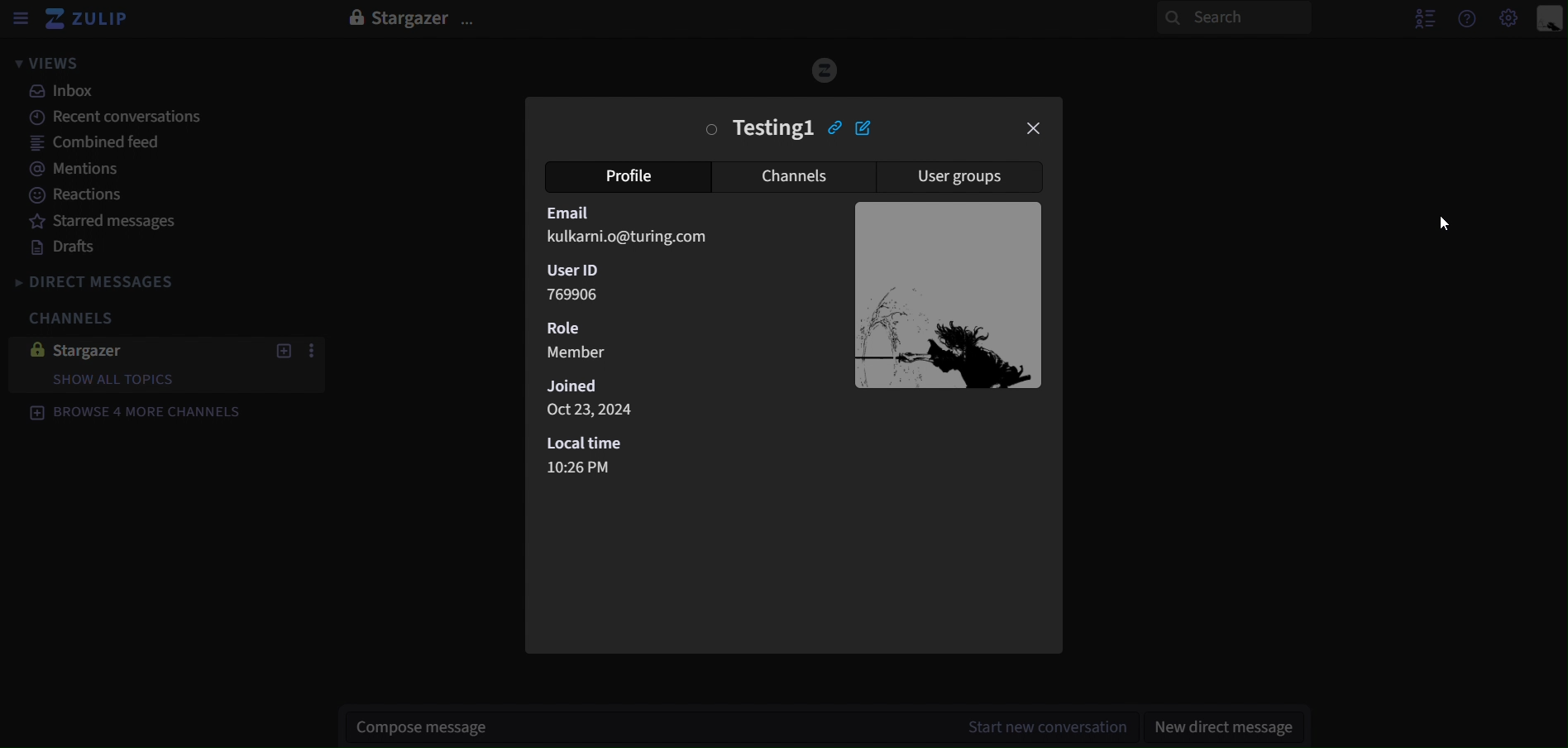 The image size is (1568, 748). Describe the element at coordinates (583, 283) in the screenshot. I see `User ID
769906` at that location.